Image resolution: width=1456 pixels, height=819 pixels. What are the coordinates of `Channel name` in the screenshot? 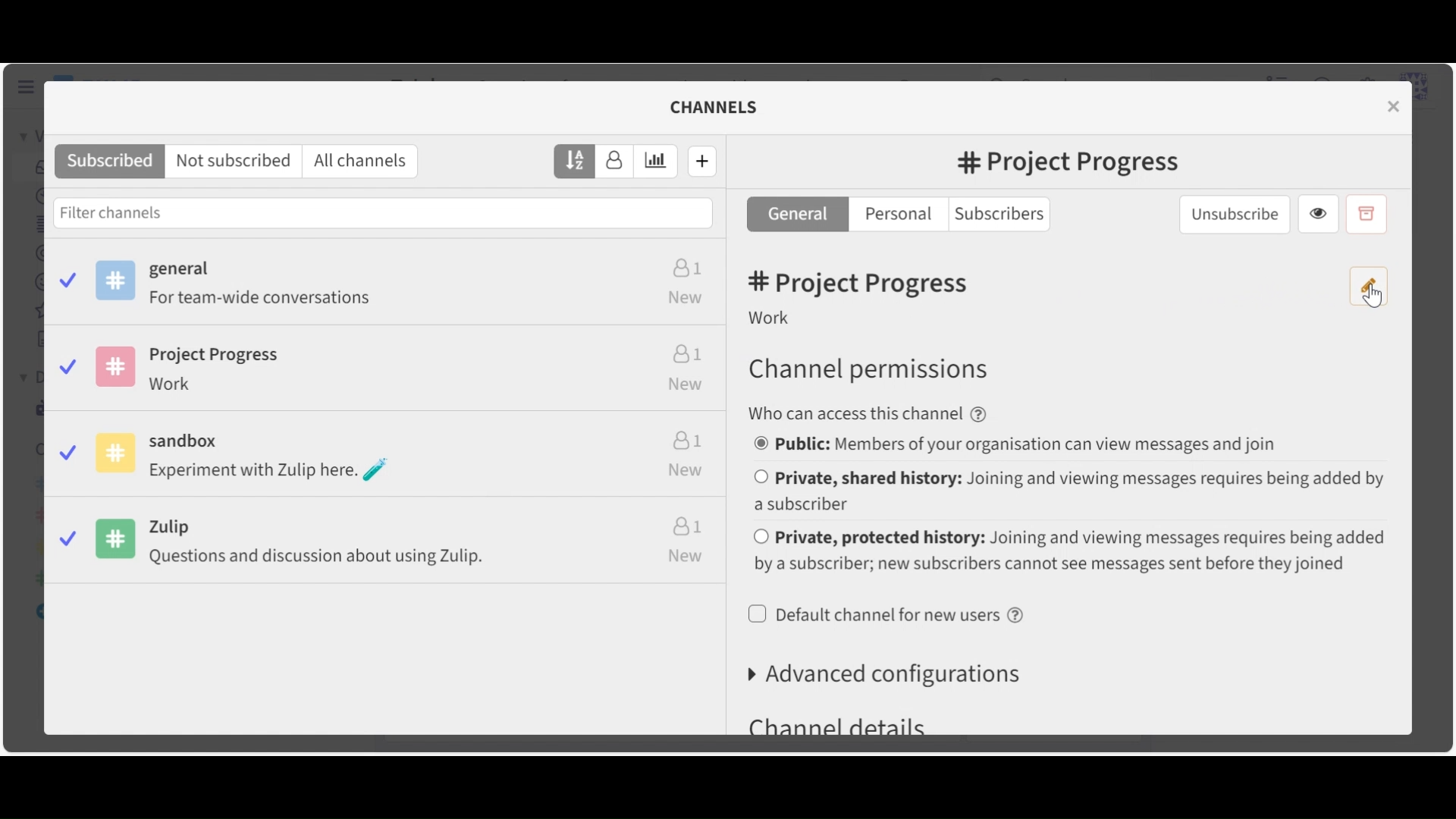 It's located at (1067, 164).